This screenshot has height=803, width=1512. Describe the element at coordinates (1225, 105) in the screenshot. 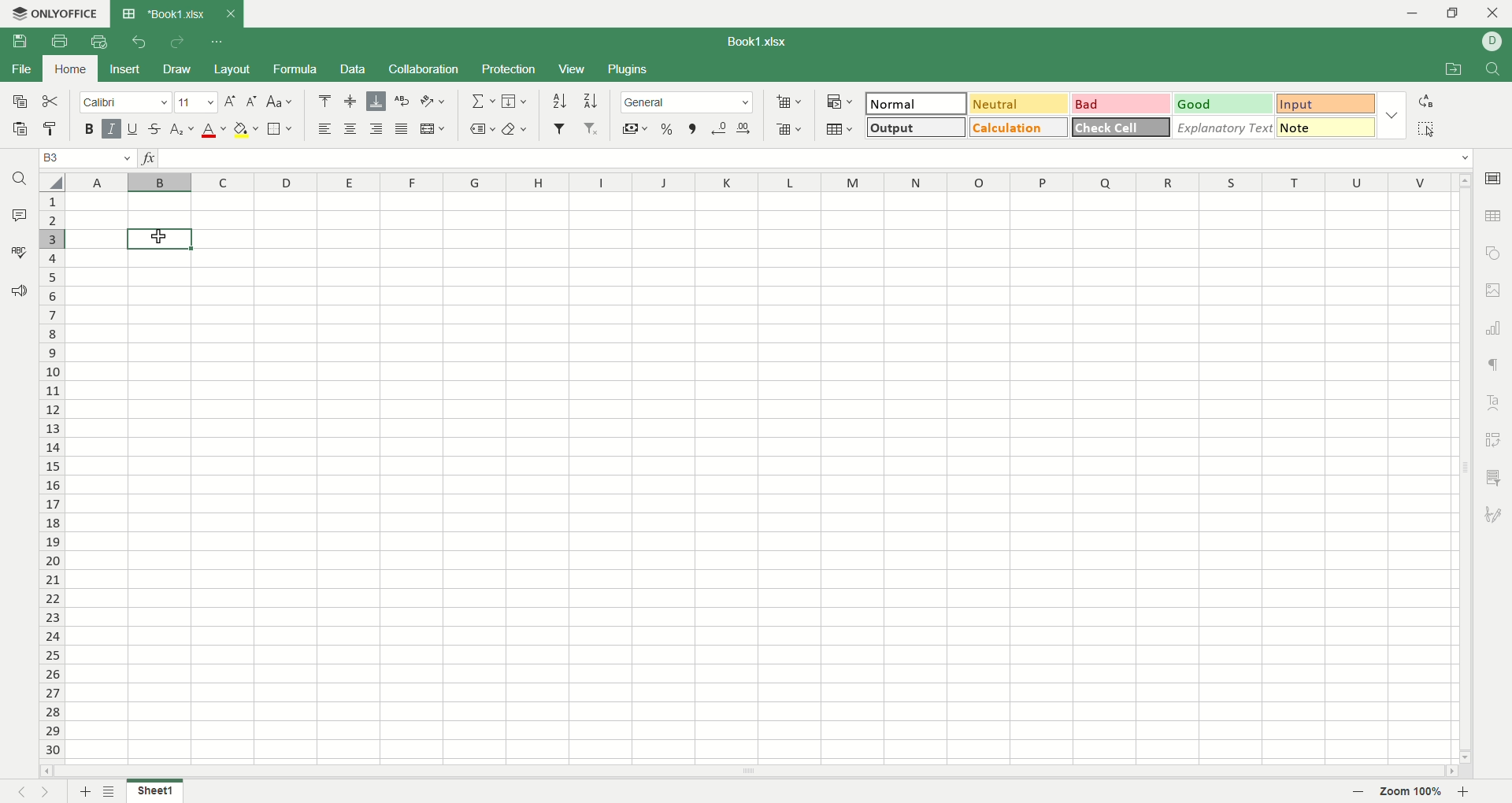

I see `good` at that location.